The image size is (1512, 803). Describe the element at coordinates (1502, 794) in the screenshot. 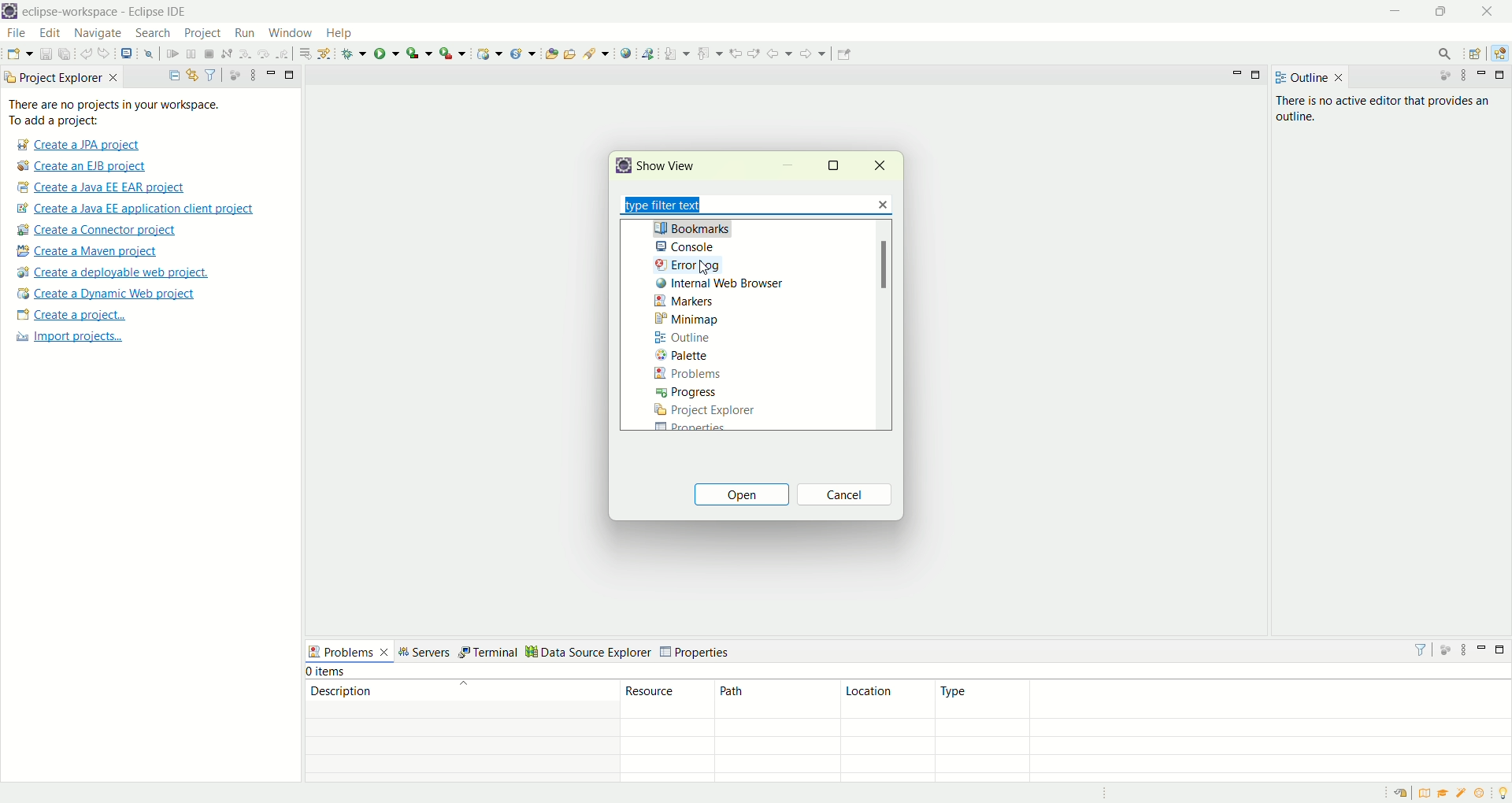

I see `tip of the day` at that location.